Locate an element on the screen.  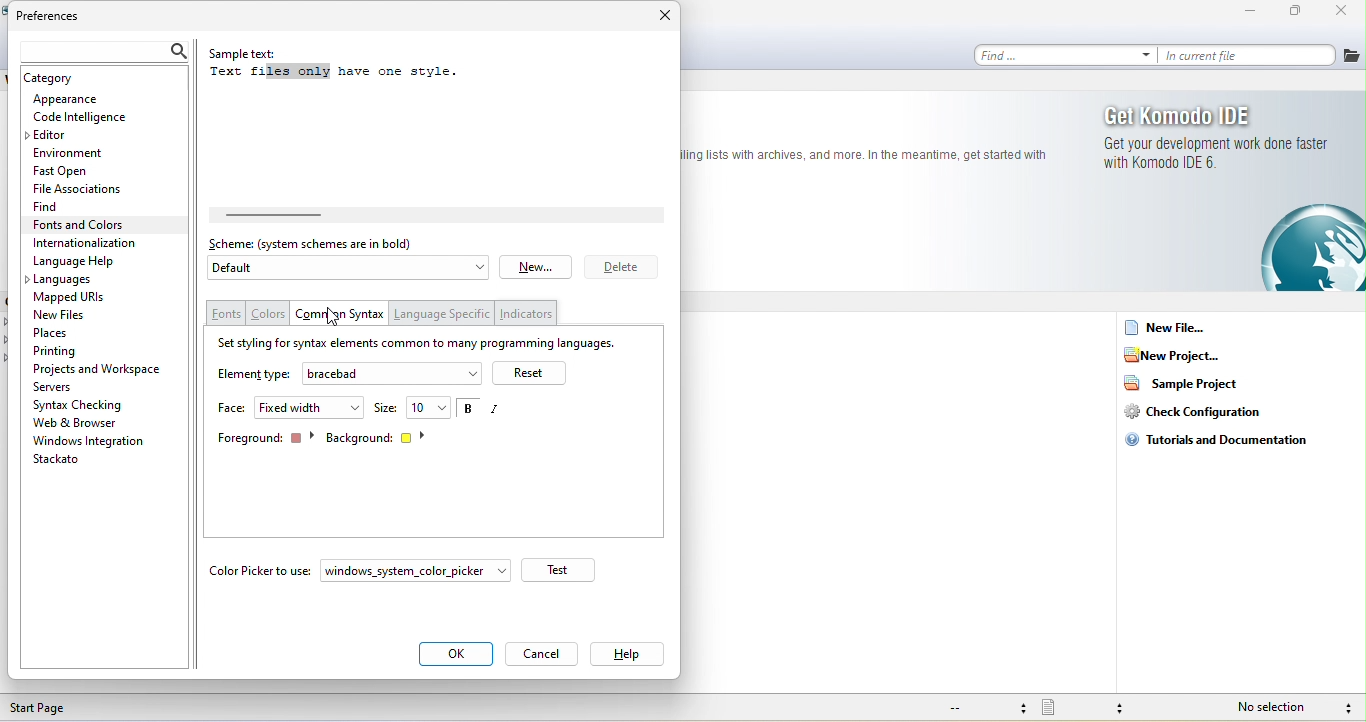
sample project is located at coordinates (1190, 387).